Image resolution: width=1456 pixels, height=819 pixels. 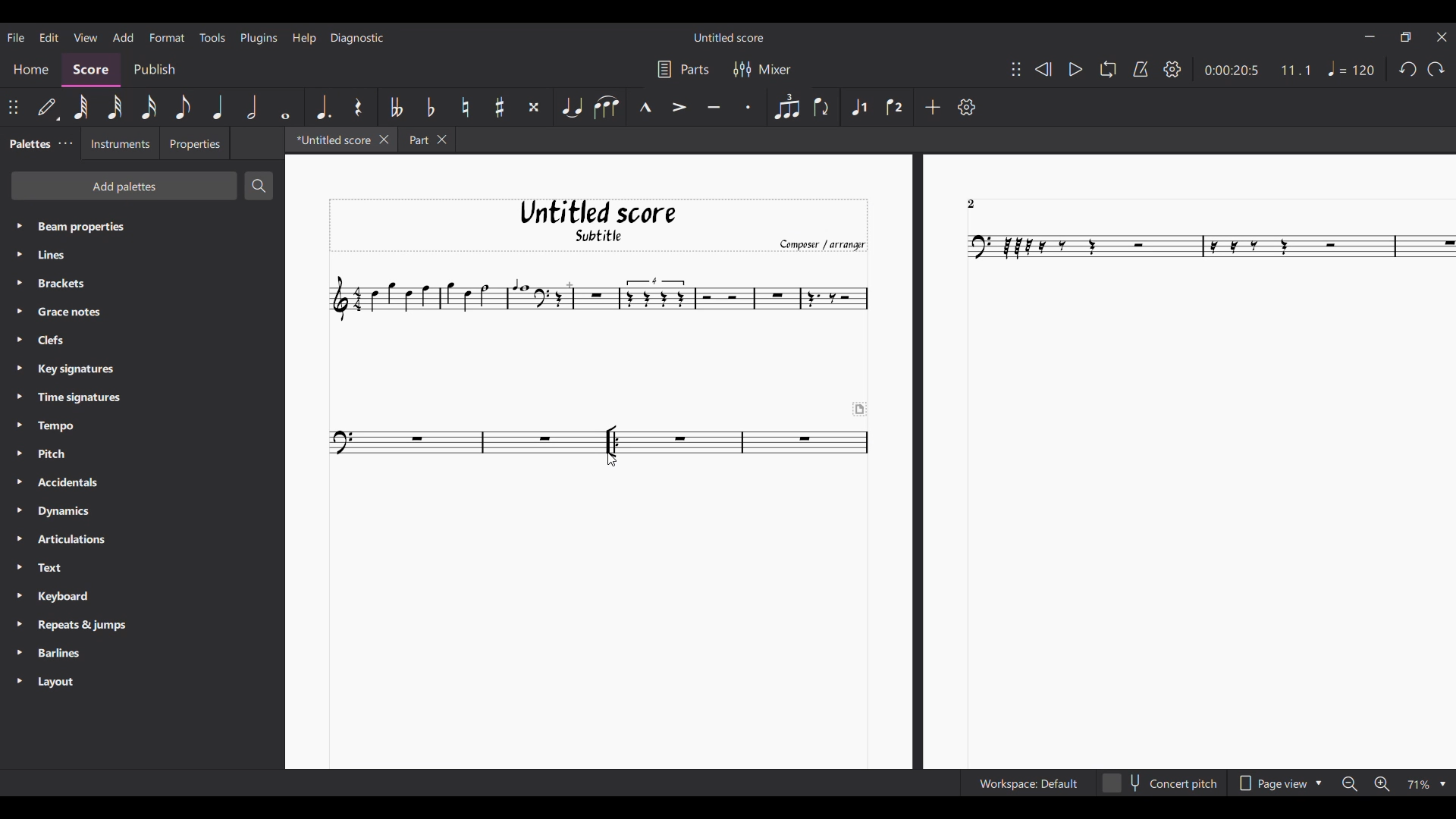 I want to click on Home, so click(x=30, y=71).